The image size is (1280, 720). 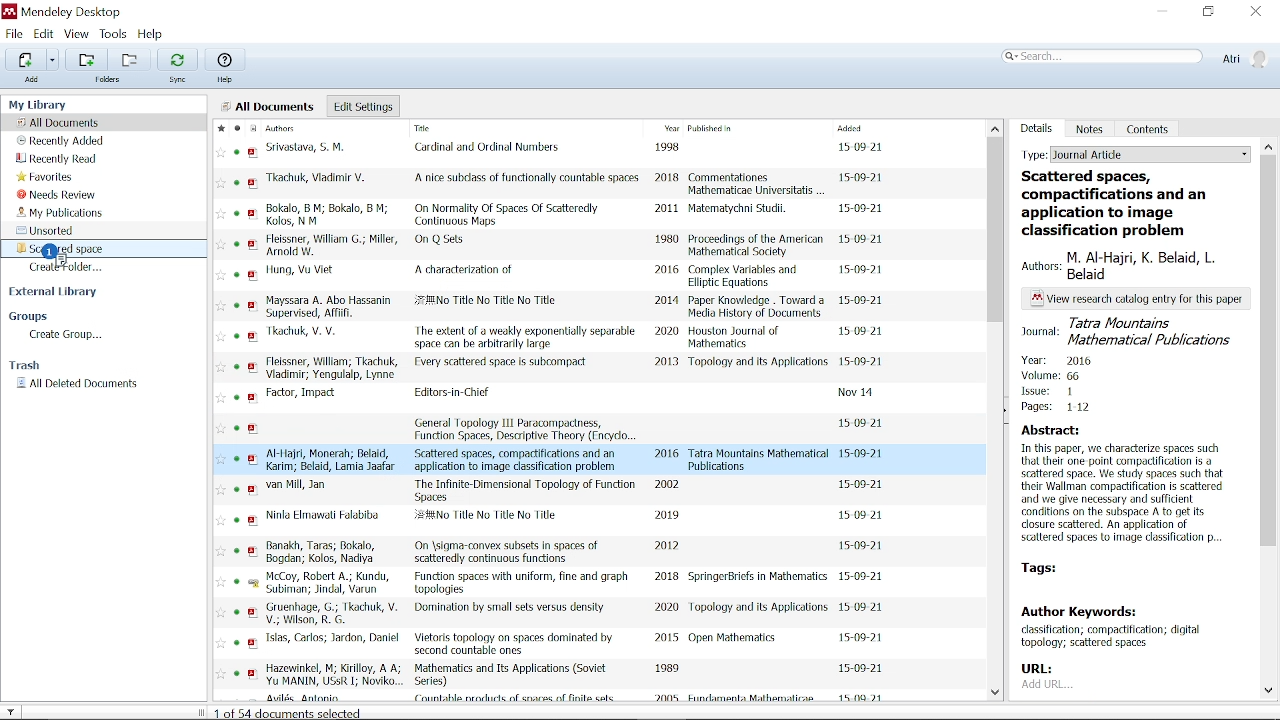 What do you see at coordinates (128, 59) in the screenshot?
I see `Remove from current folder` at bounding box center [128, 59].